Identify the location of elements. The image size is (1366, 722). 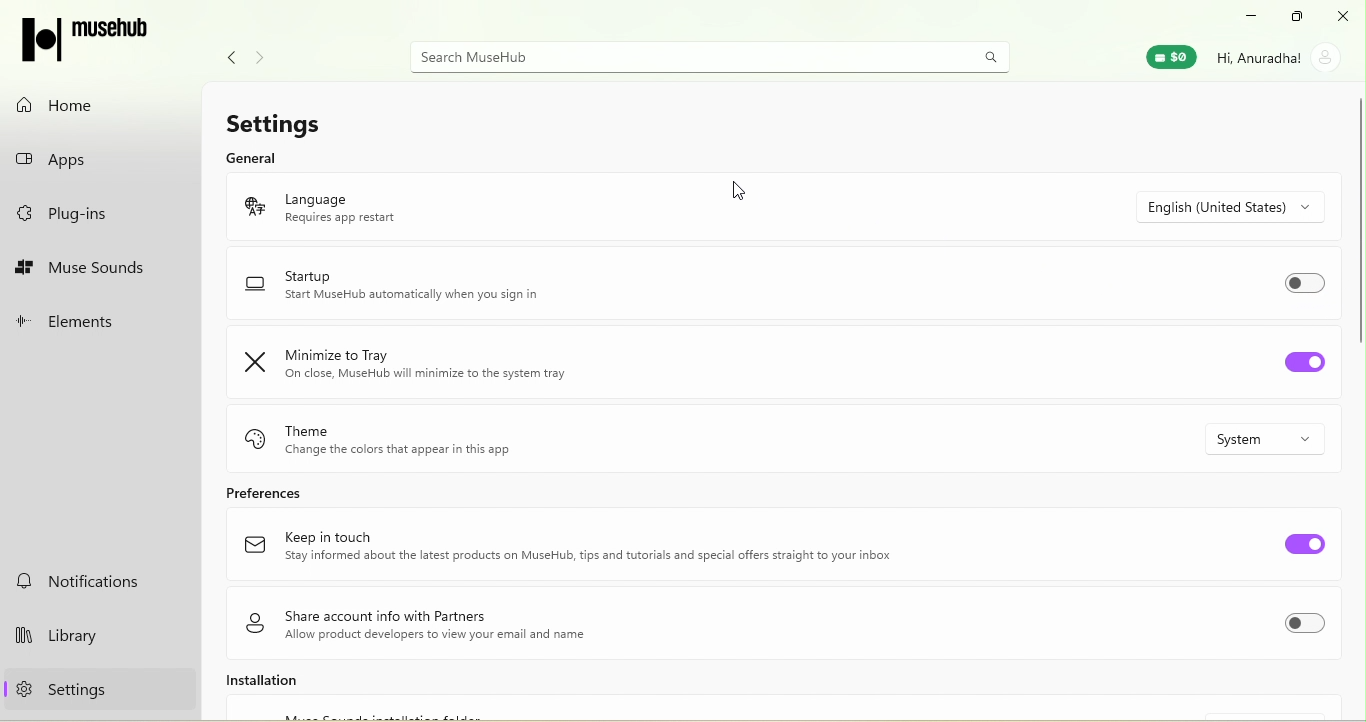
(99, 318).